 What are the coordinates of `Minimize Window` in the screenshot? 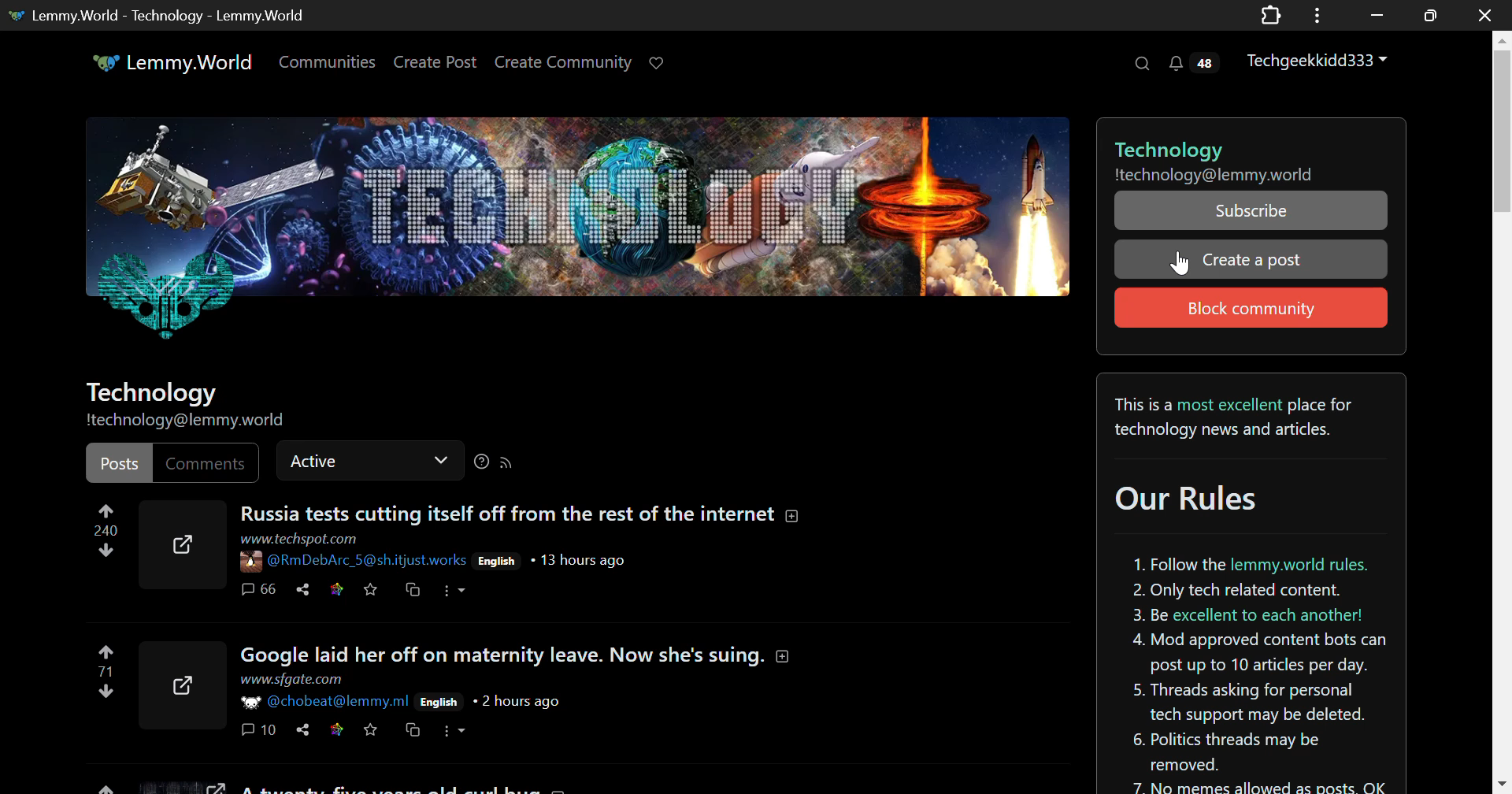 It's located at (1427, 15).